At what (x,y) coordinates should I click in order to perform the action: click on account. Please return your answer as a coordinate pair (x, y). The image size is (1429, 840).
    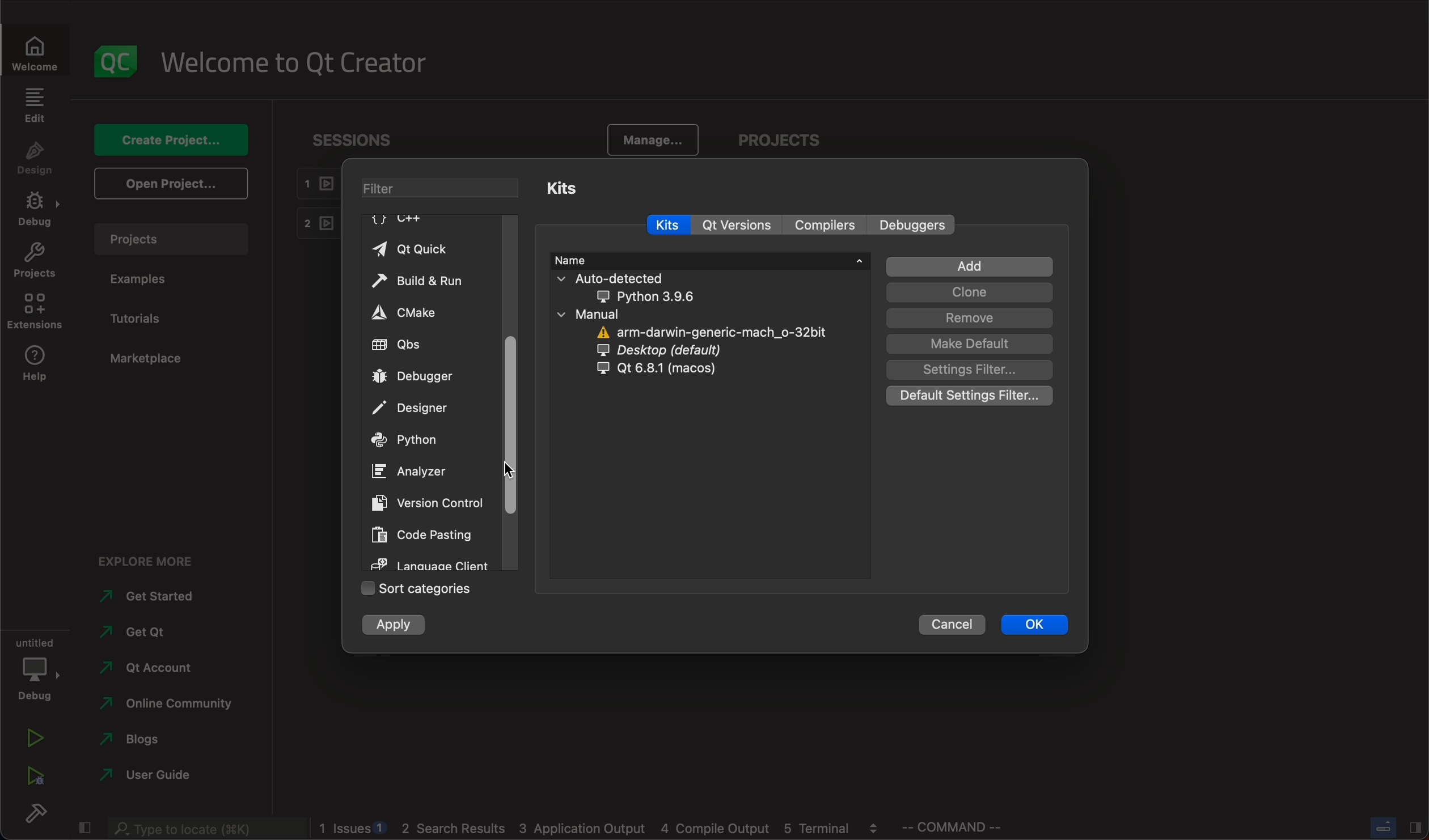
    Looking at the image, I should click on (151, 669).